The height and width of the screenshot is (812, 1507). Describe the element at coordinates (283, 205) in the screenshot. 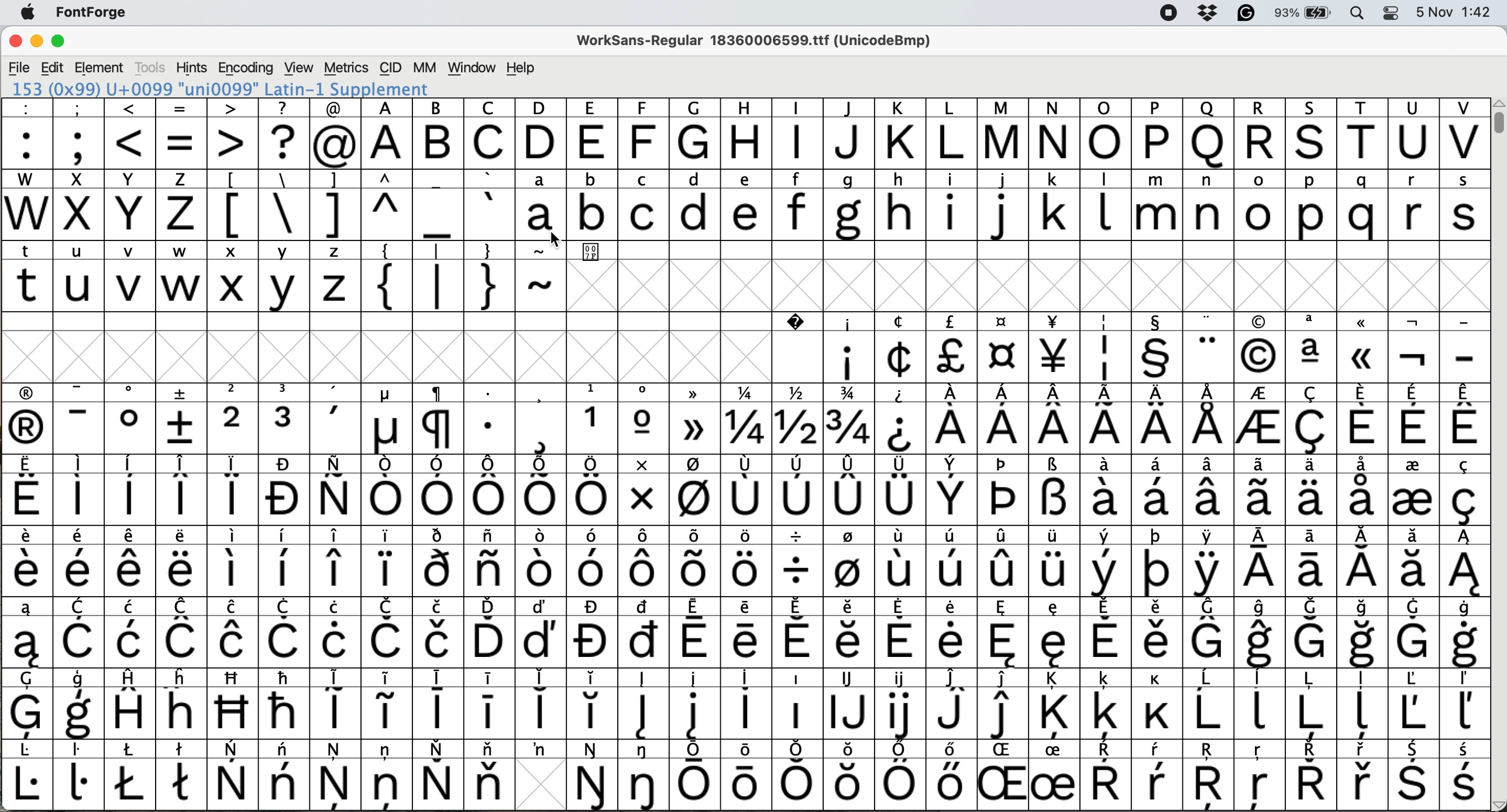

I see `\` at that location.